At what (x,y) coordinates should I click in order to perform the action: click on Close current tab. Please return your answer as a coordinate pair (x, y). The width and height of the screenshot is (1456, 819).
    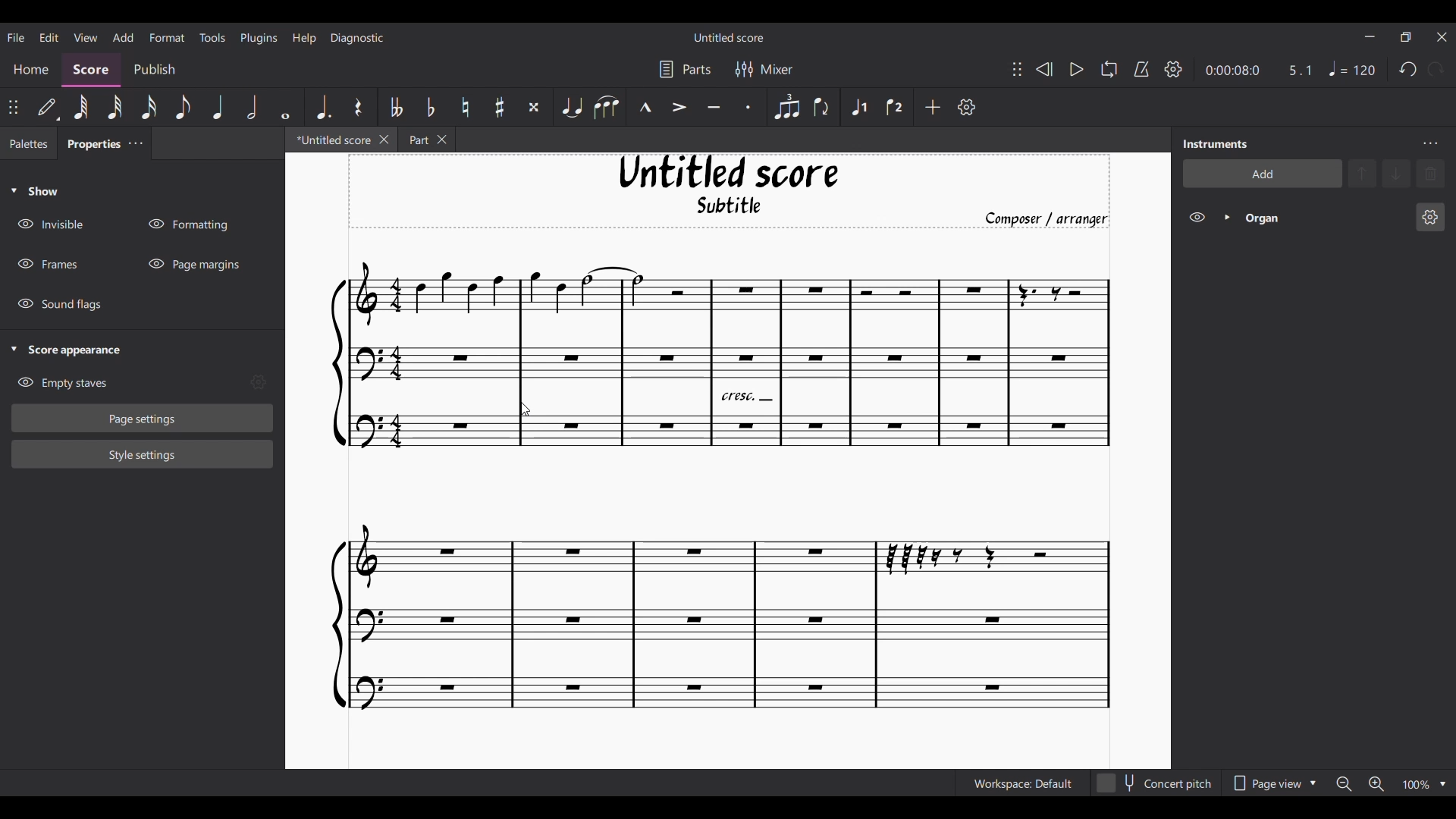
    Looking at the image, I should click on (384, 139).